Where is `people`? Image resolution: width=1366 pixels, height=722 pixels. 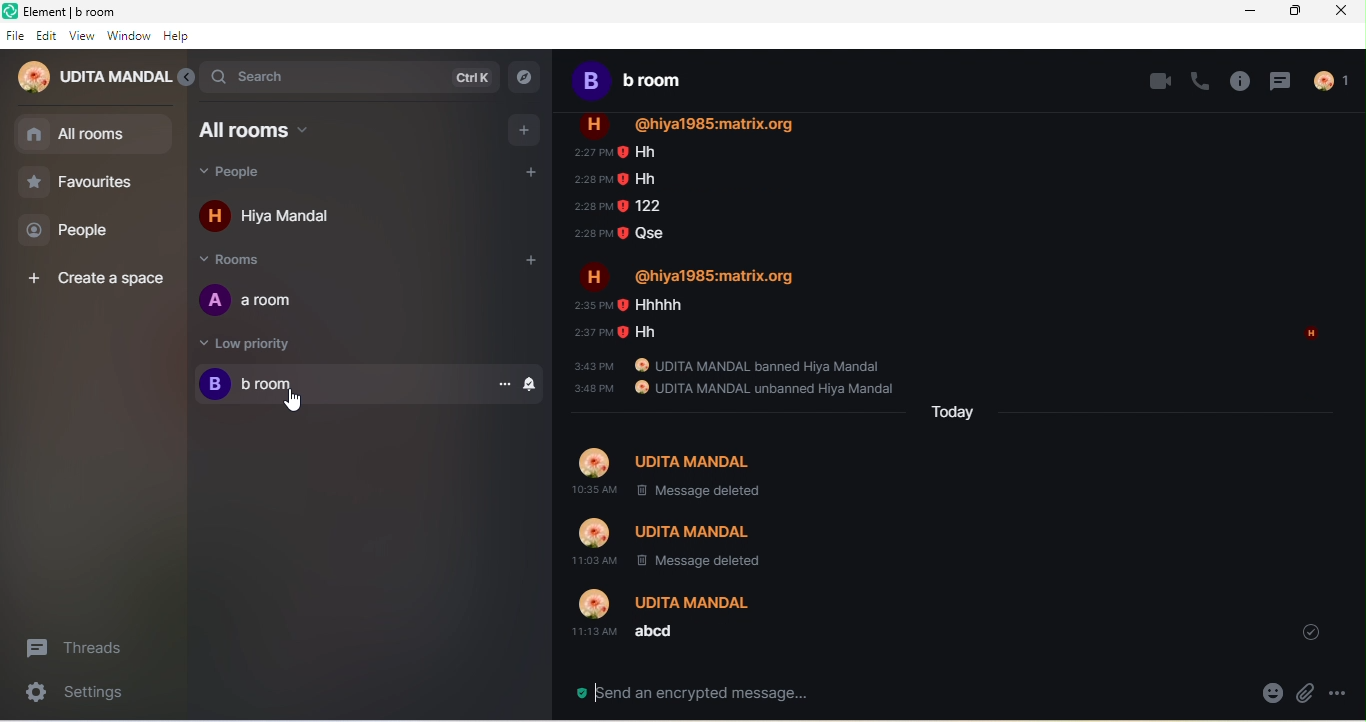
people is located at coordinates (254, 174).